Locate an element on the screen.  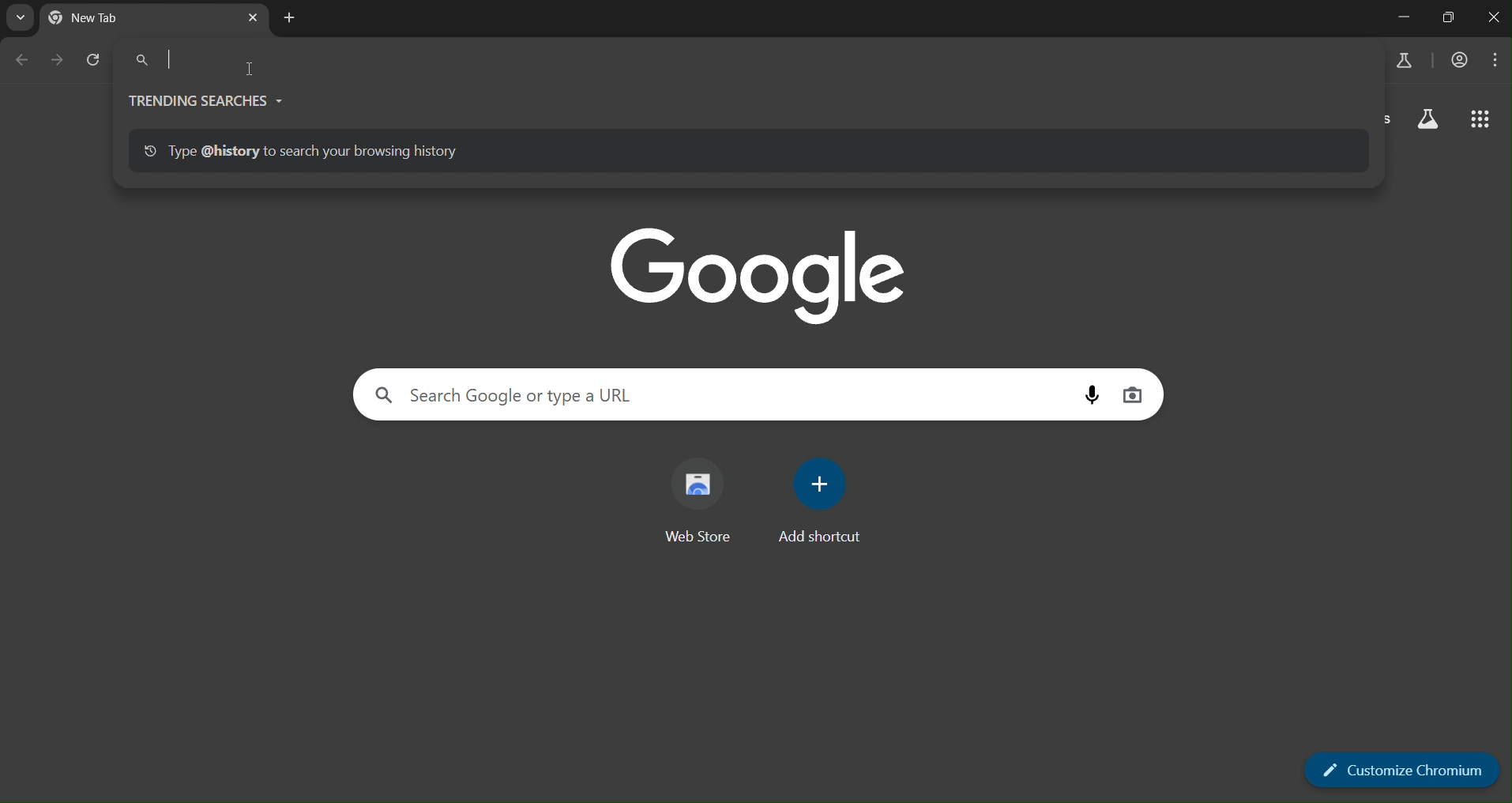
menu is located at coordinates (1497, 61).